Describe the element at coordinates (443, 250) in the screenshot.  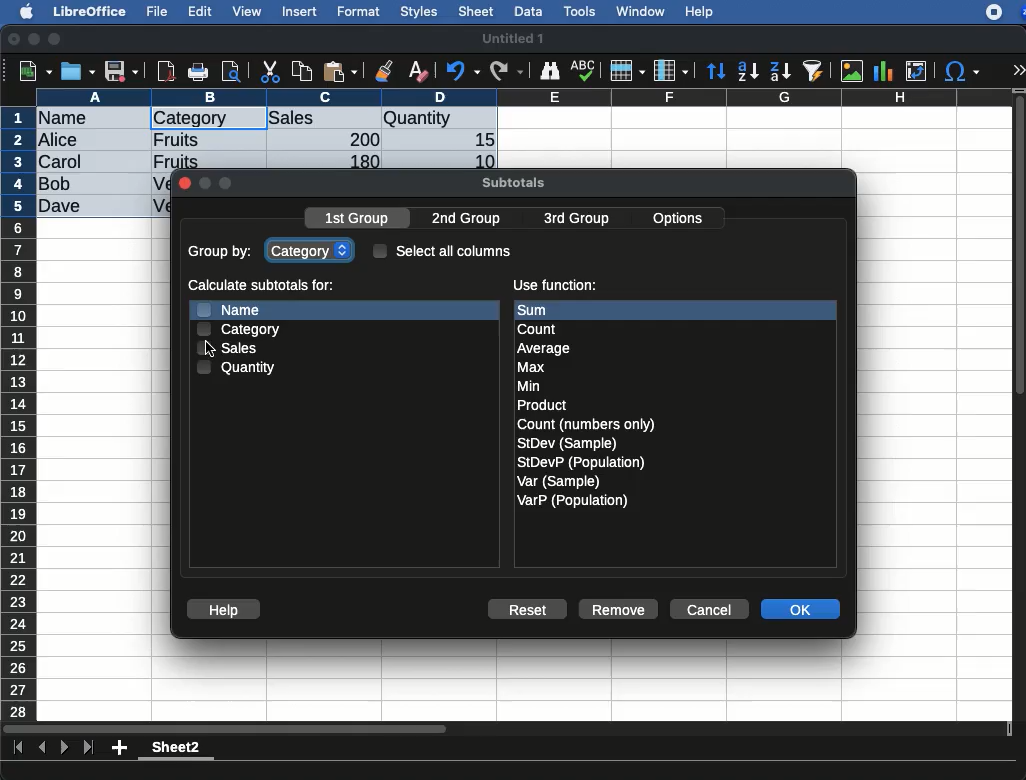
I see `select all columns` at that location.